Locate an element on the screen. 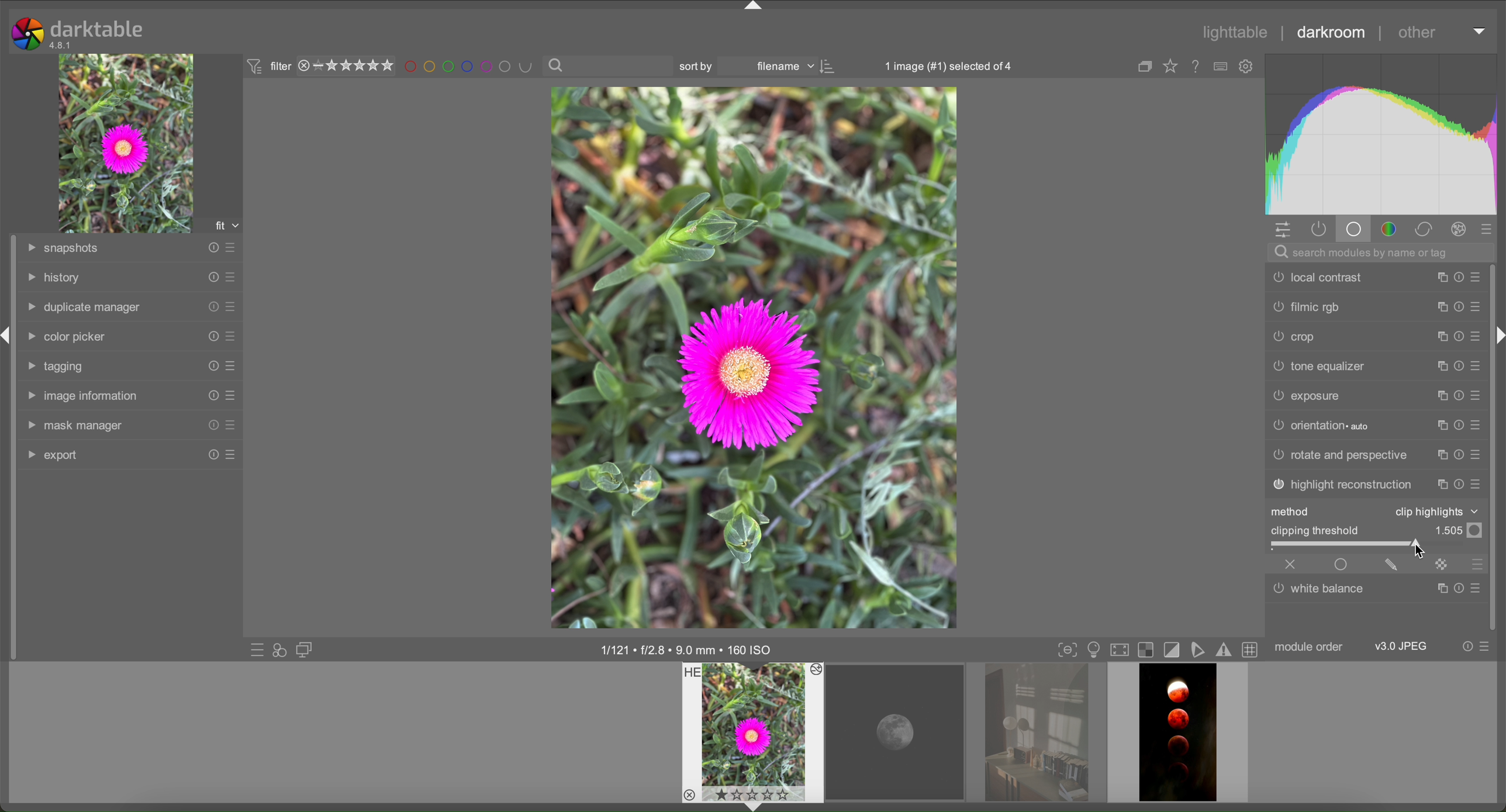 The height and width of the screenshot is (812, 1506). presets is located at coordinates (1475, 588).